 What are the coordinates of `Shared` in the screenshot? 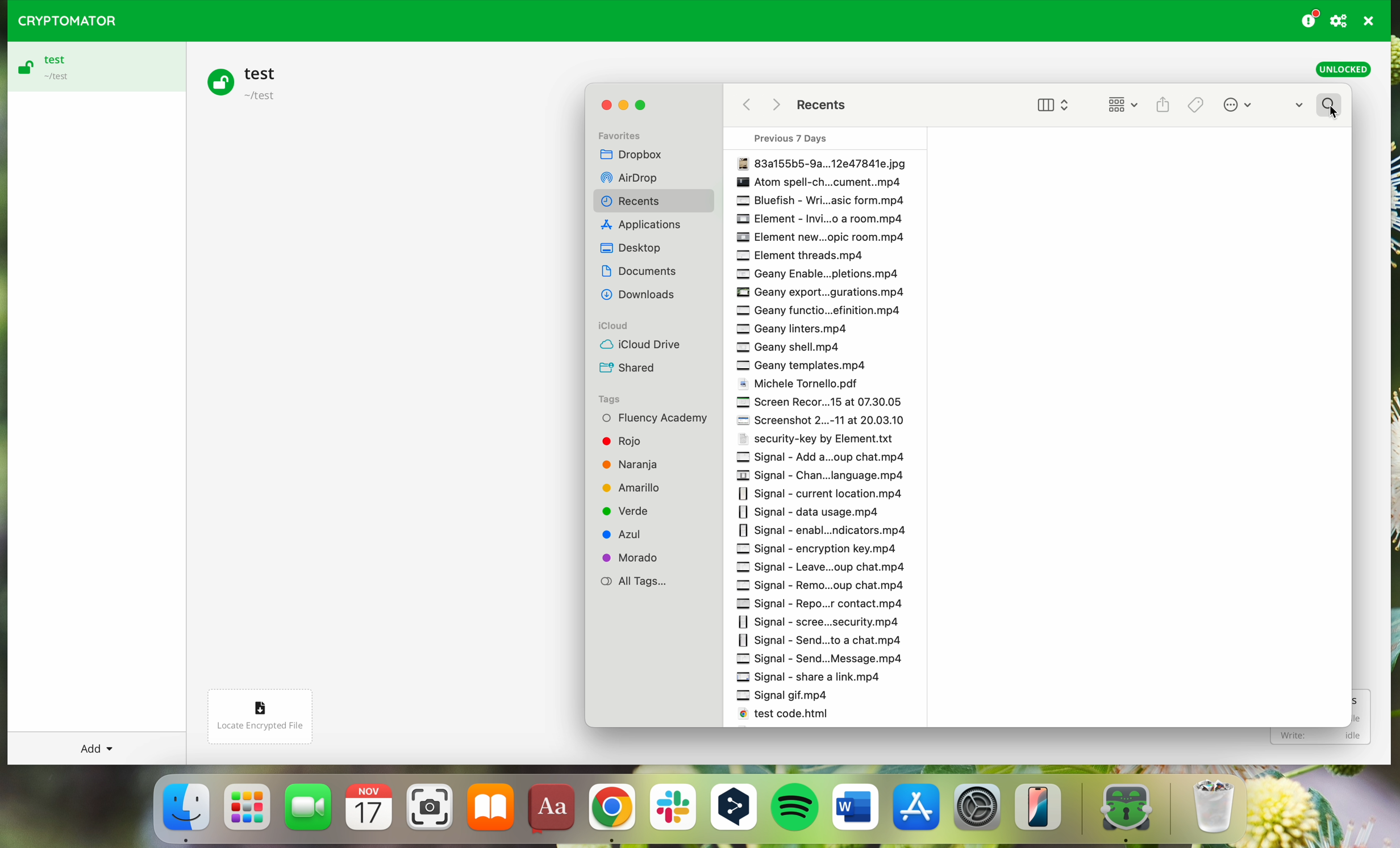 It's located at (630, 369).